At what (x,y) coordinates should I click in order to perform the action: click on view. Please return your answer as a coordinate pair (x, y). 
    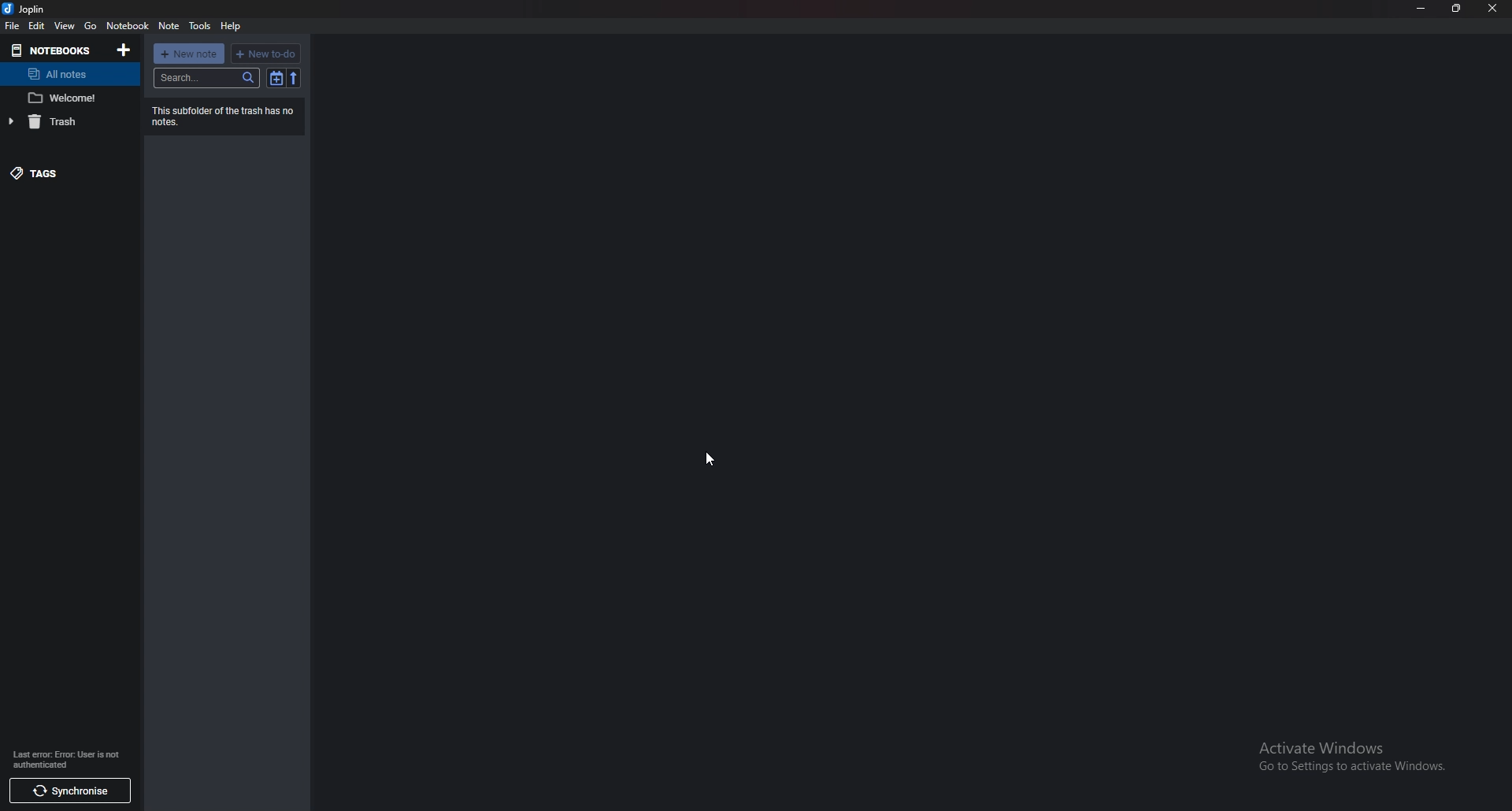
    Looking at the image, I should click on (64, 25).